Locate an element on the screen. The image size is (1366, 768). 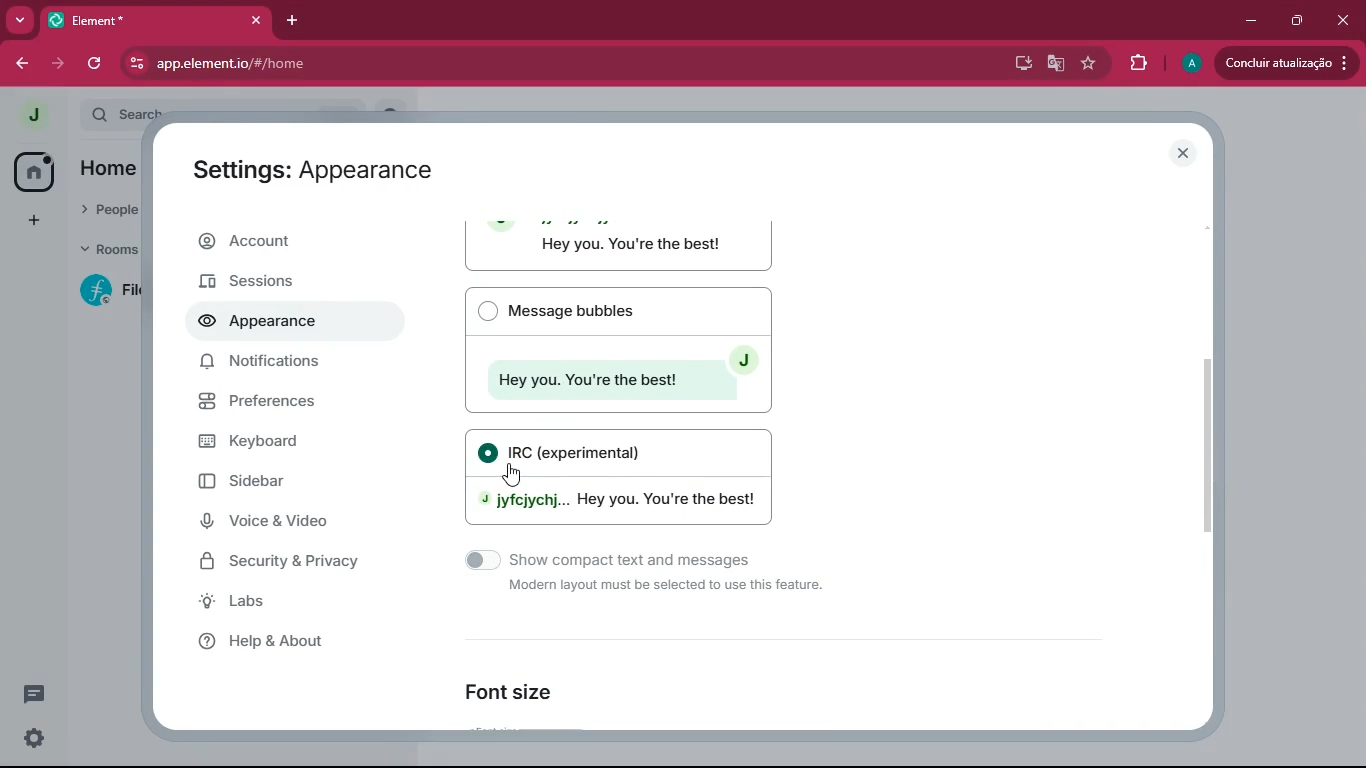
minimize is located at coordinates (1251, 21).